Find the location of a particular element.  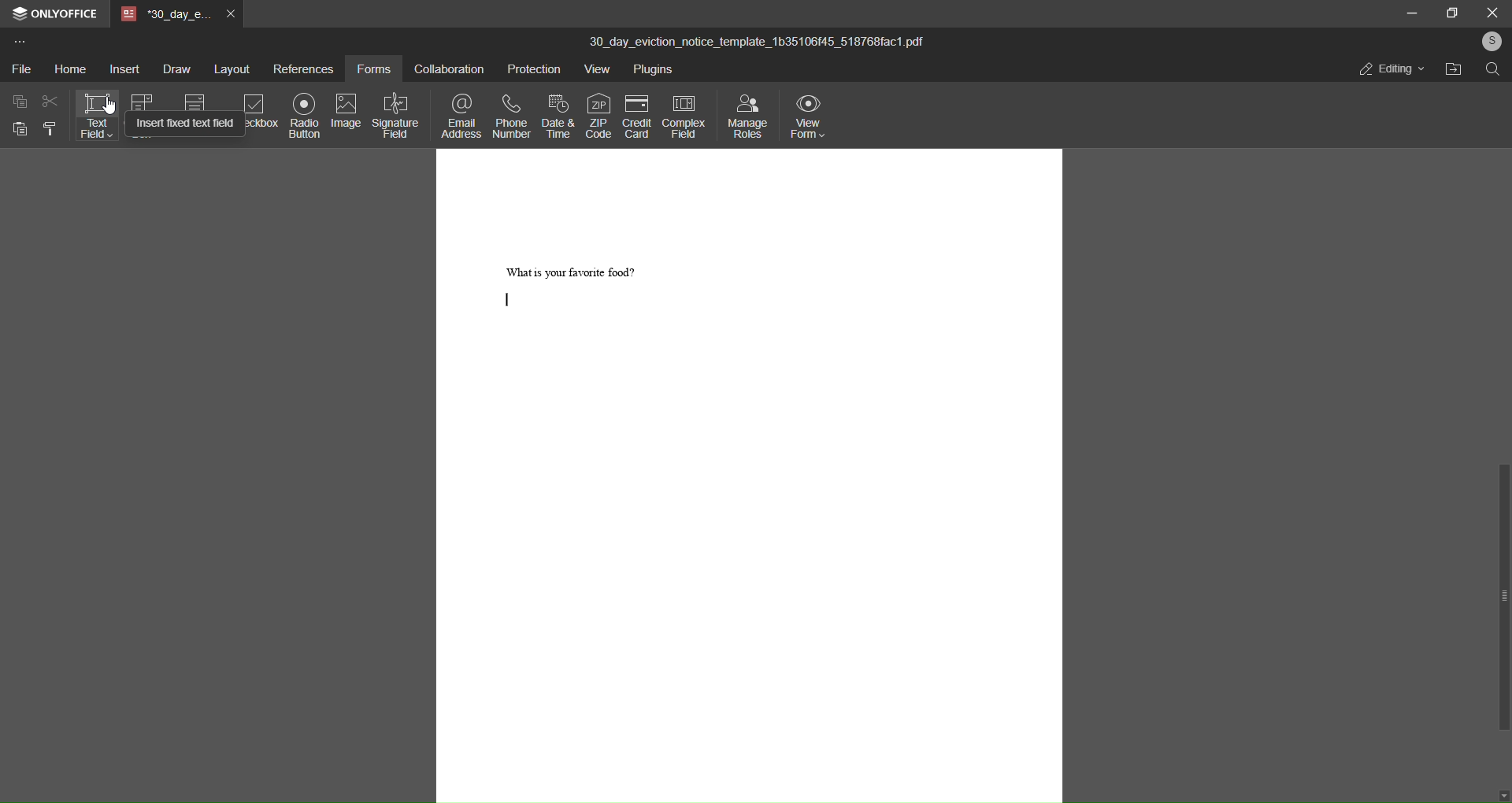

date and time is located at coordinates (558, 115).